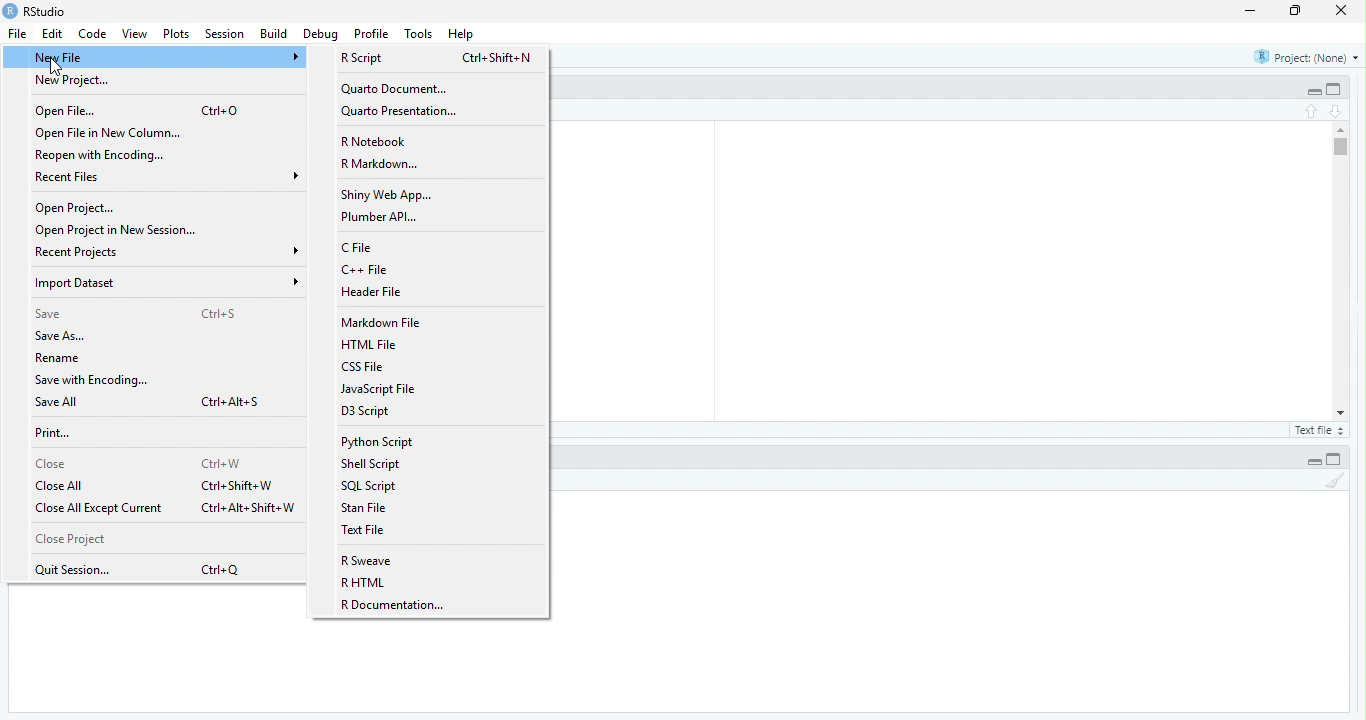 This screenshot has height=720, width=1366. I want to click on R Markdown..., so click(382, 164).